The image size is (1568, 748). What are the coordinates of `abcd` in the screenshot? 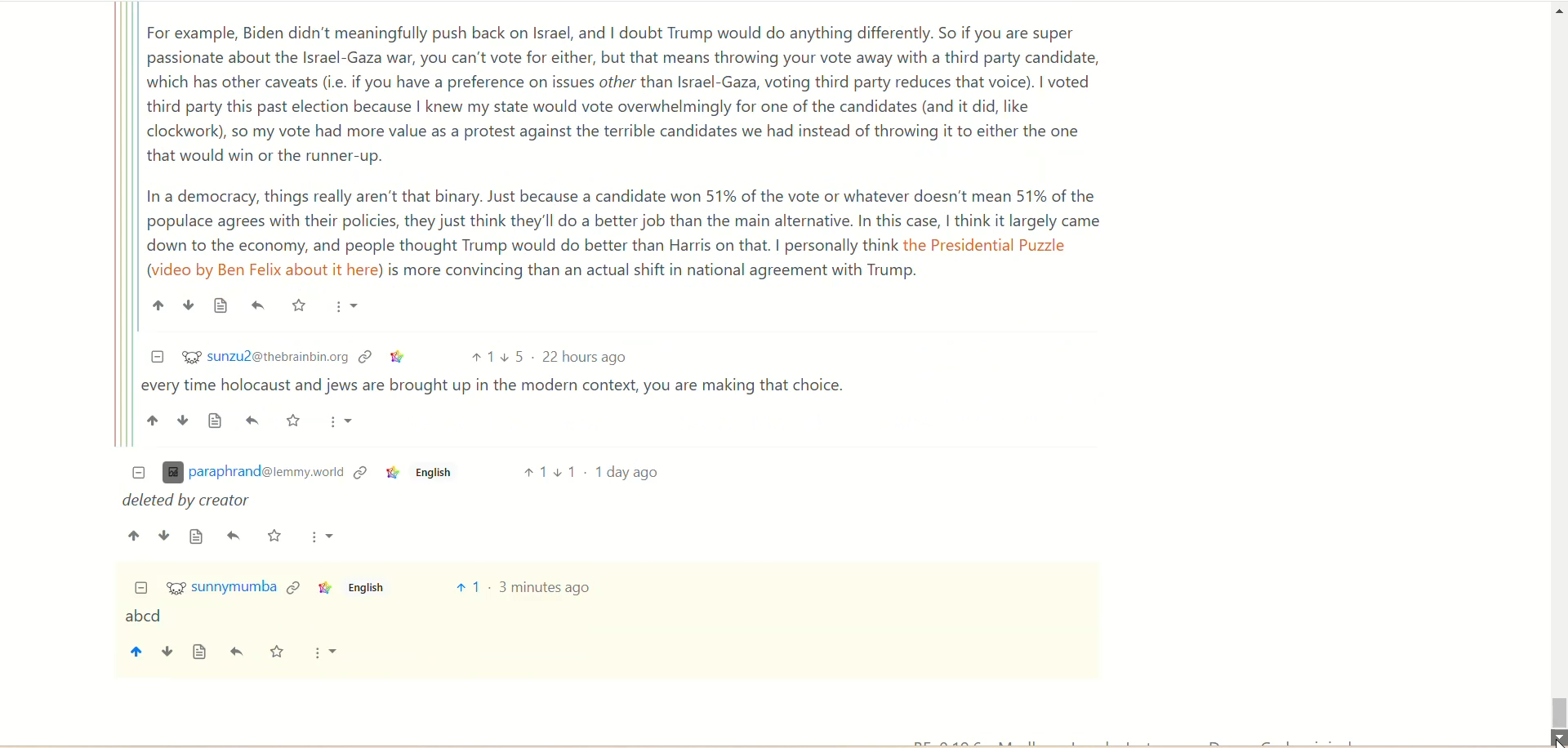 It's located at (144, 617).